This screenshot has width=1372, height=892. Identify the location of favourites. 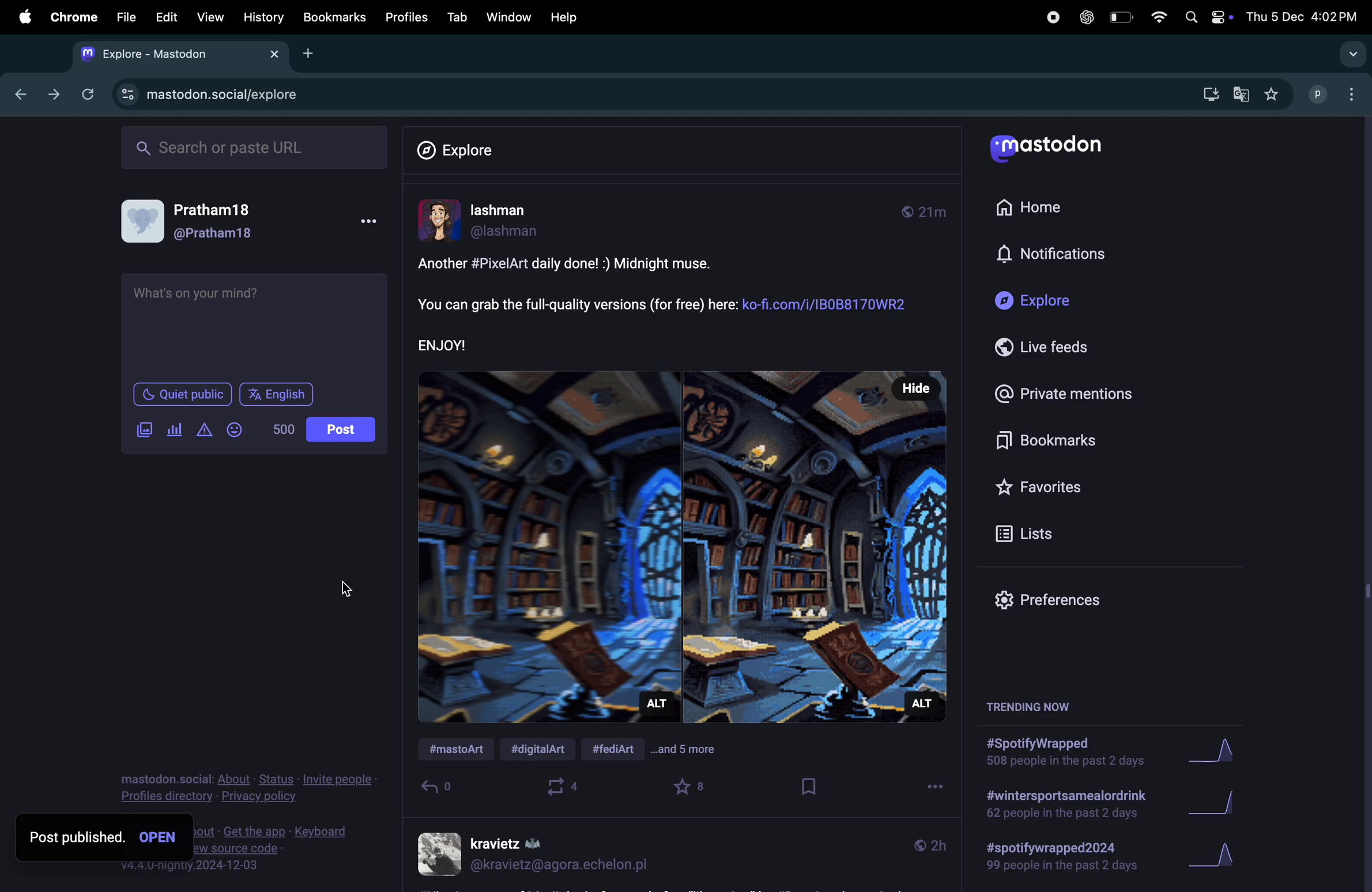
(692, 788).